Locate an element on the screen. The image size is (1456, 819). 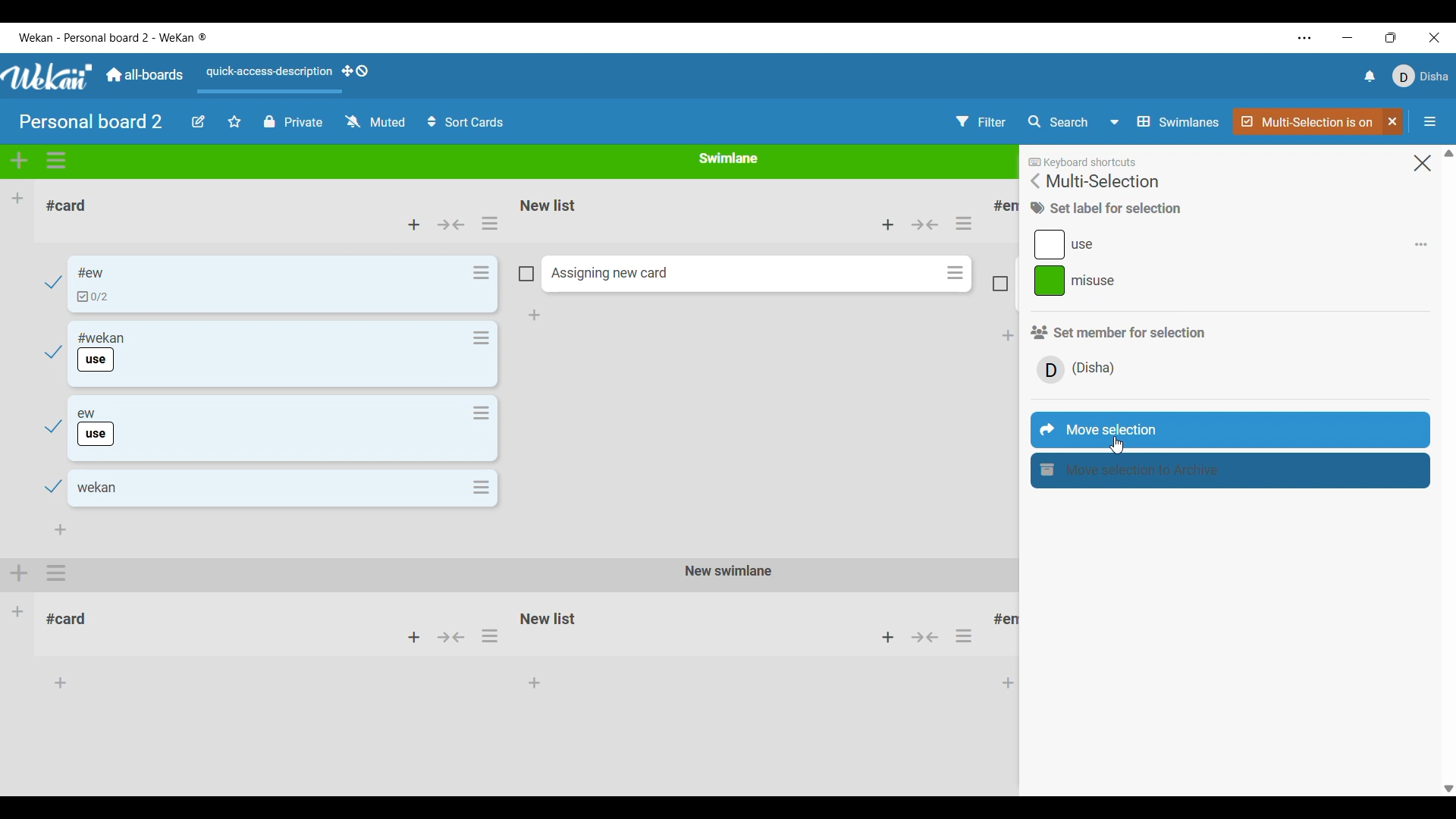
Indicates card is not included in current selection is located at coordinates (1001, 283).